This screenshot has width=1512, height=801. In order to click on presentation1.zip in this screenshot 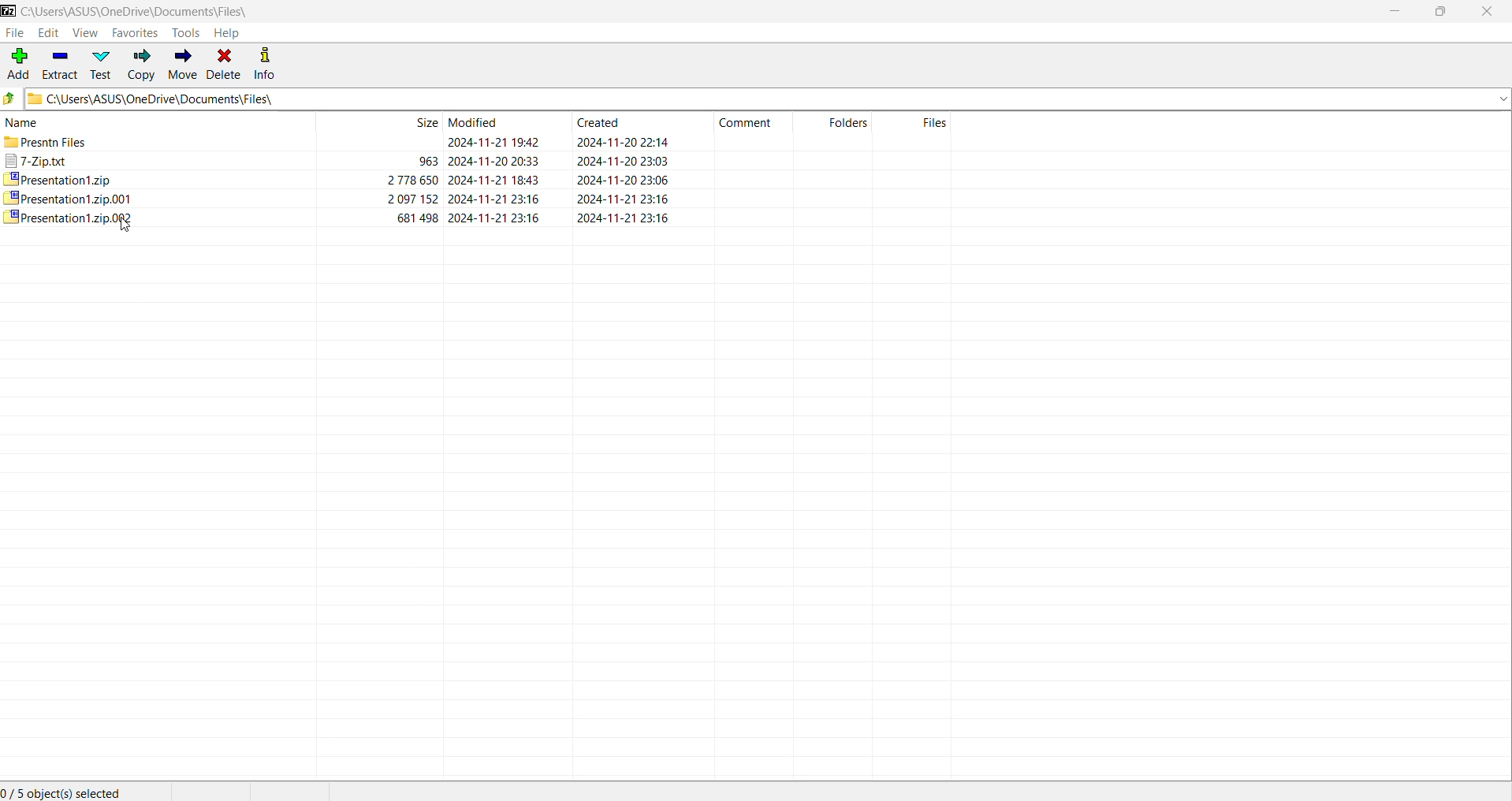, I will do `click(63, 180)`.